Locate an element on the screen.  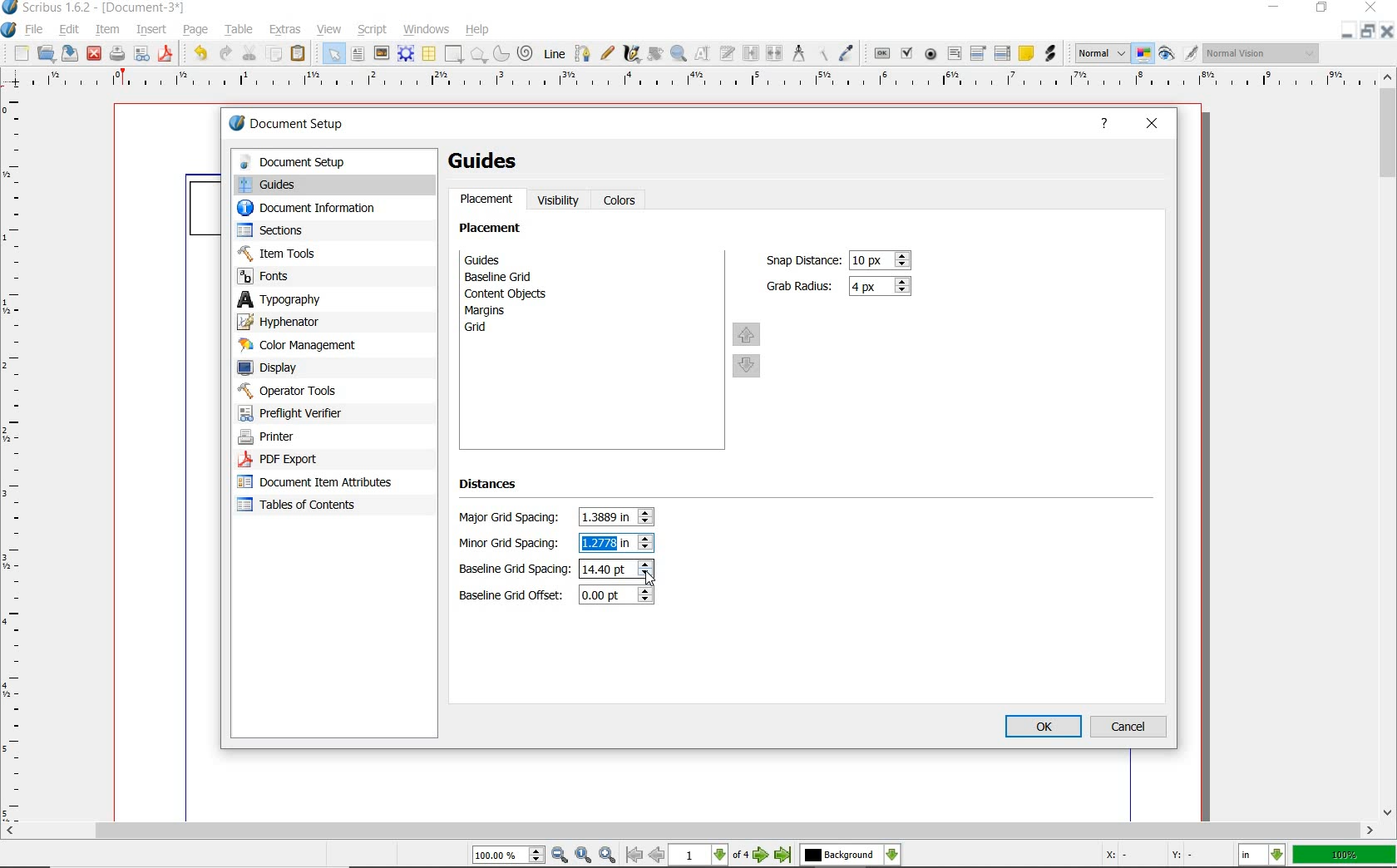
visibility is located at coordinates (559, 200).